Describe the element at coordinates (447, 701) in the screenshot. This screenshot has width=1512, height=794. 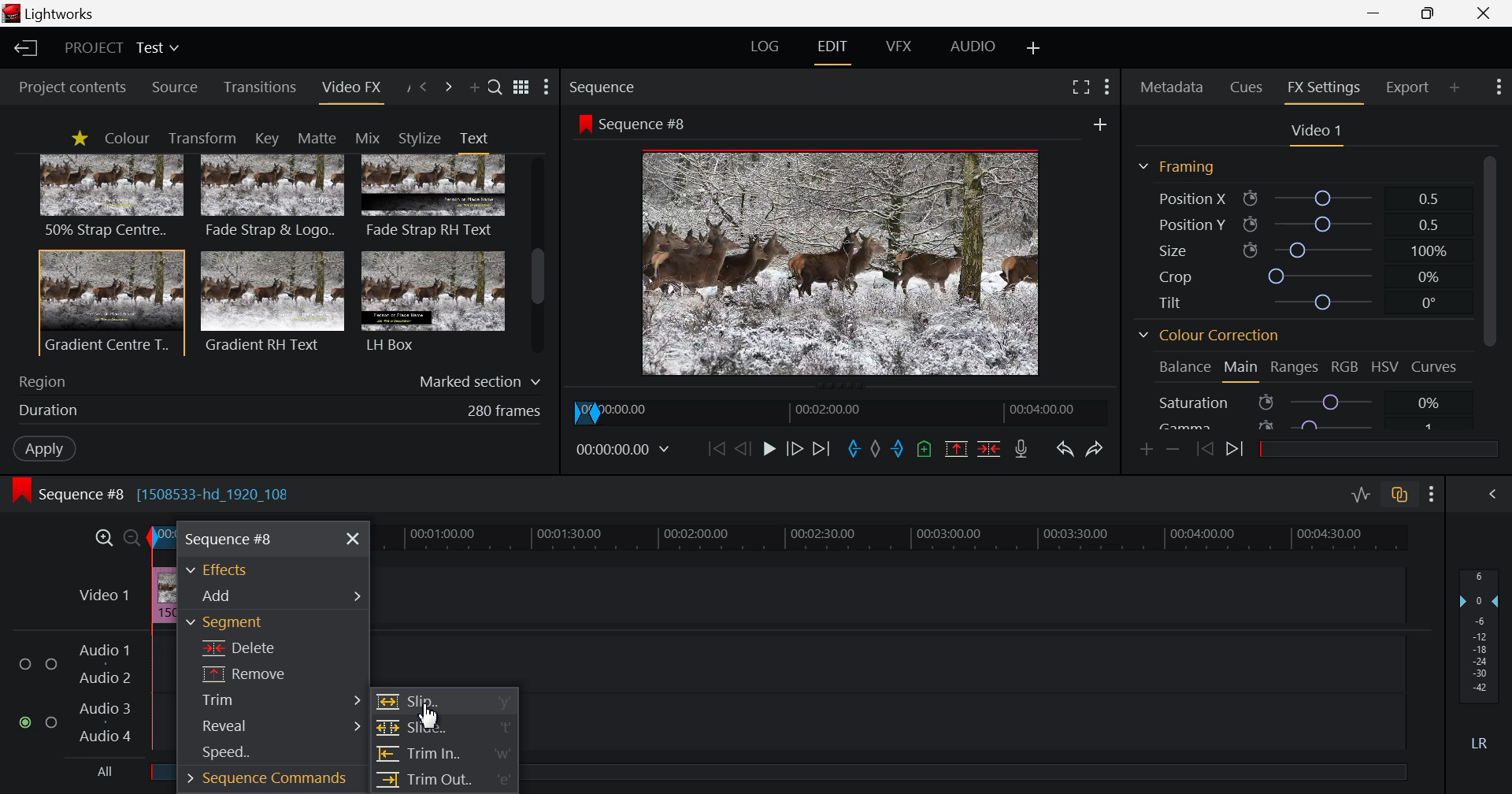
I see `Cursor on Slip` at that location.